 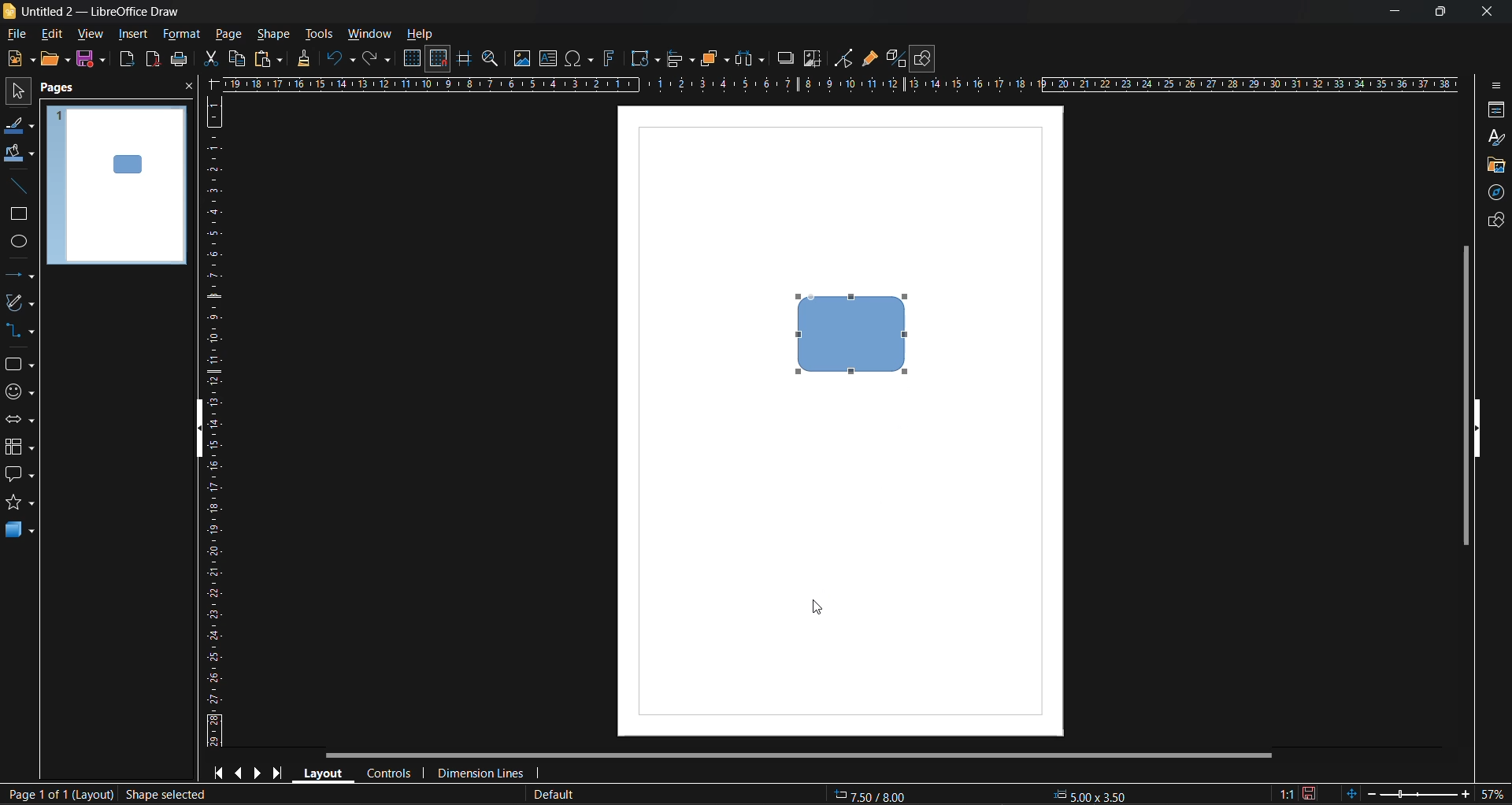 What do you see at coordinates (180, 35) in the screenshot?
I see `format` at bounding box center [180, 35].